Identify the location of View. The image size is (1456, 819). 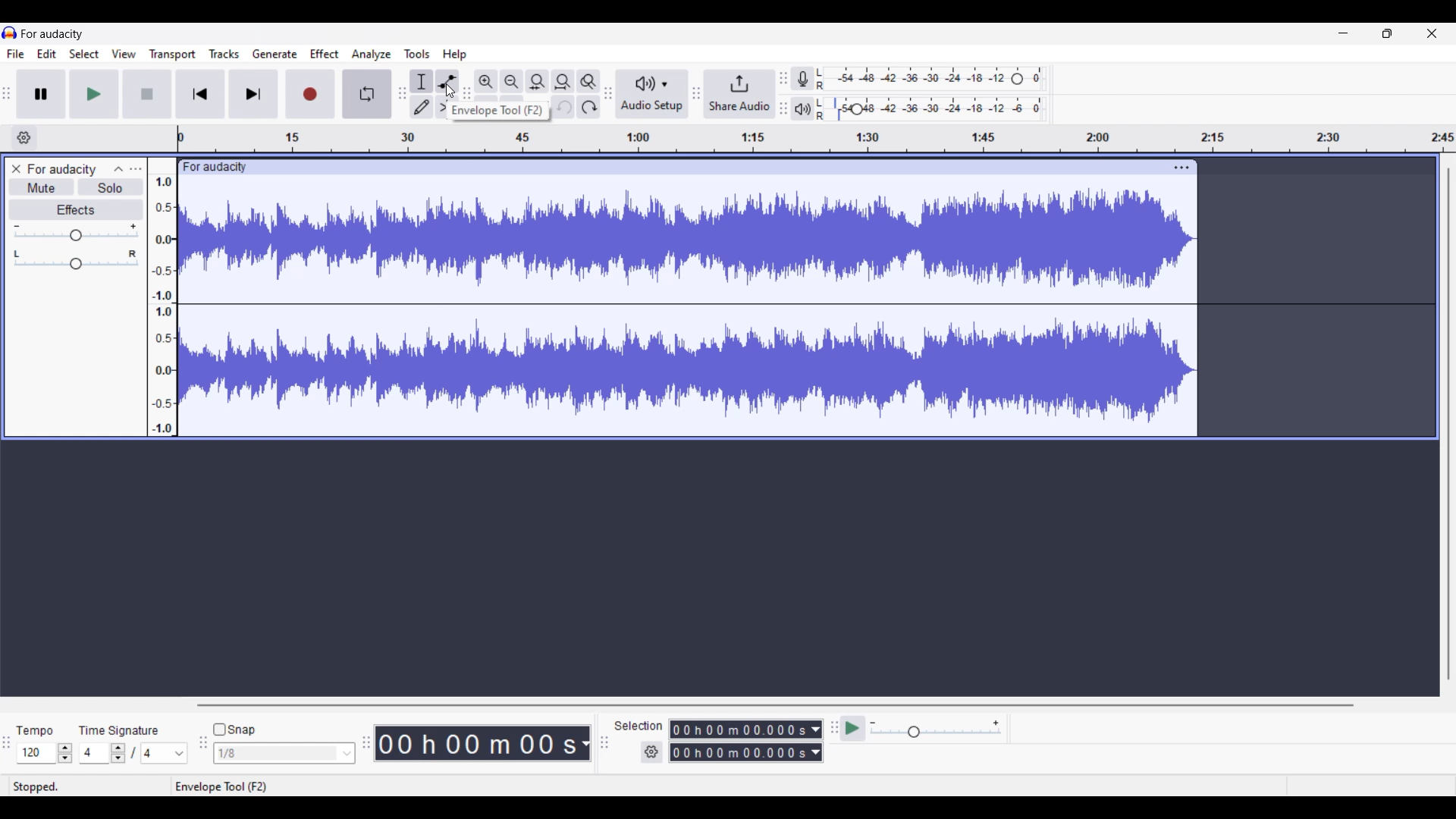
(124, 54).